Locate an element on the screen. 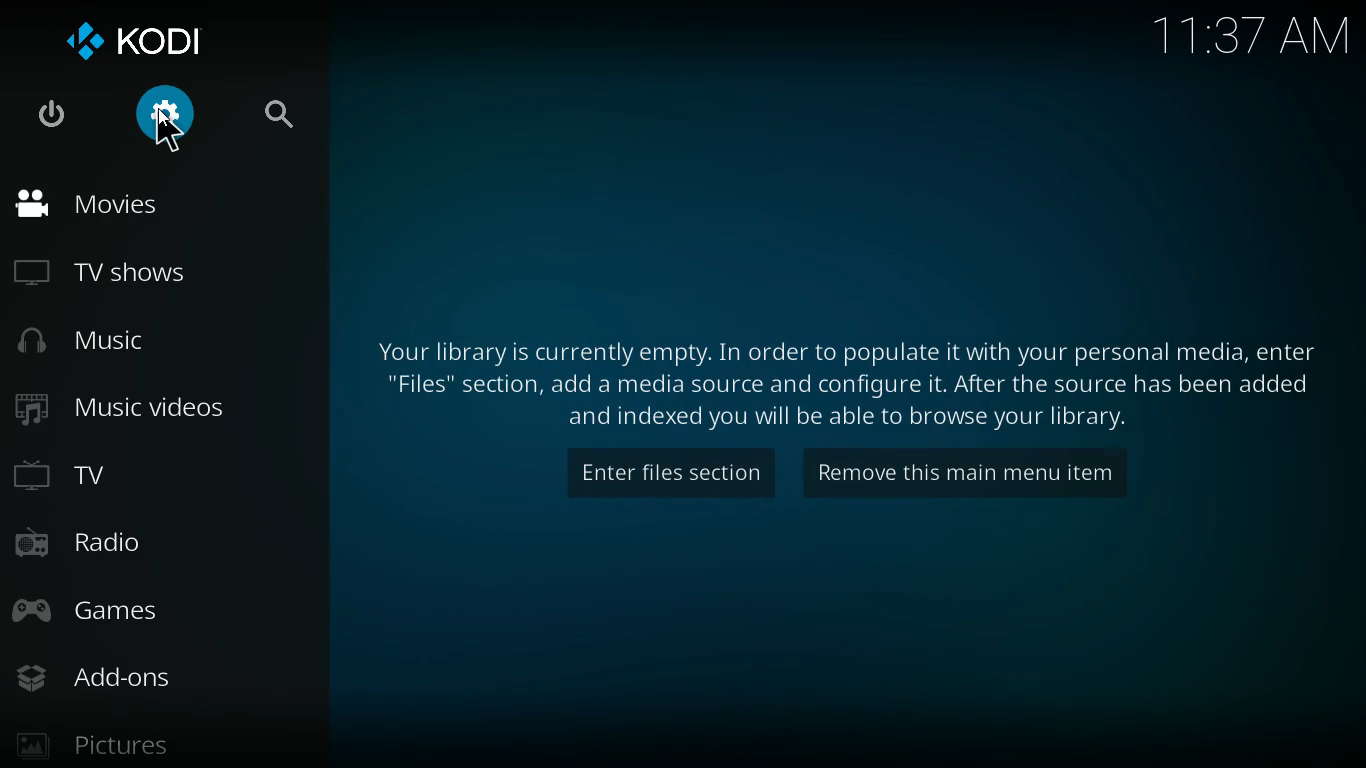  Your library is currently empty. In order to populate it with your personal media, enter
"Files" section, add a media source and configure it. After the source has been added
and indexed you will be able to browse your library. is located at coordinates (851, 383).